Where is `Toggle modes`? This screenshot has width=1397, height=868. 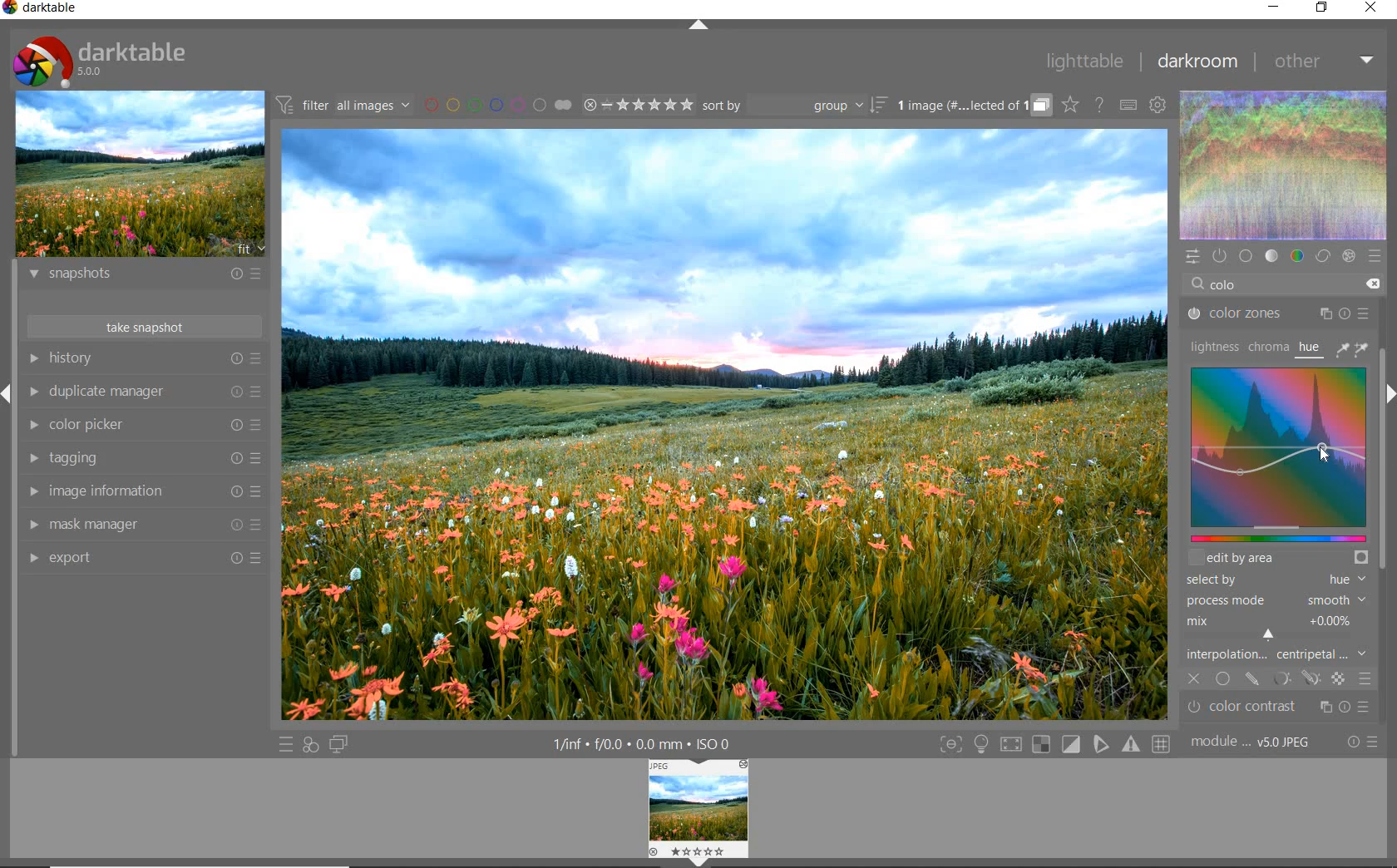
Toggle modes is located at coordinates (1054, 745).